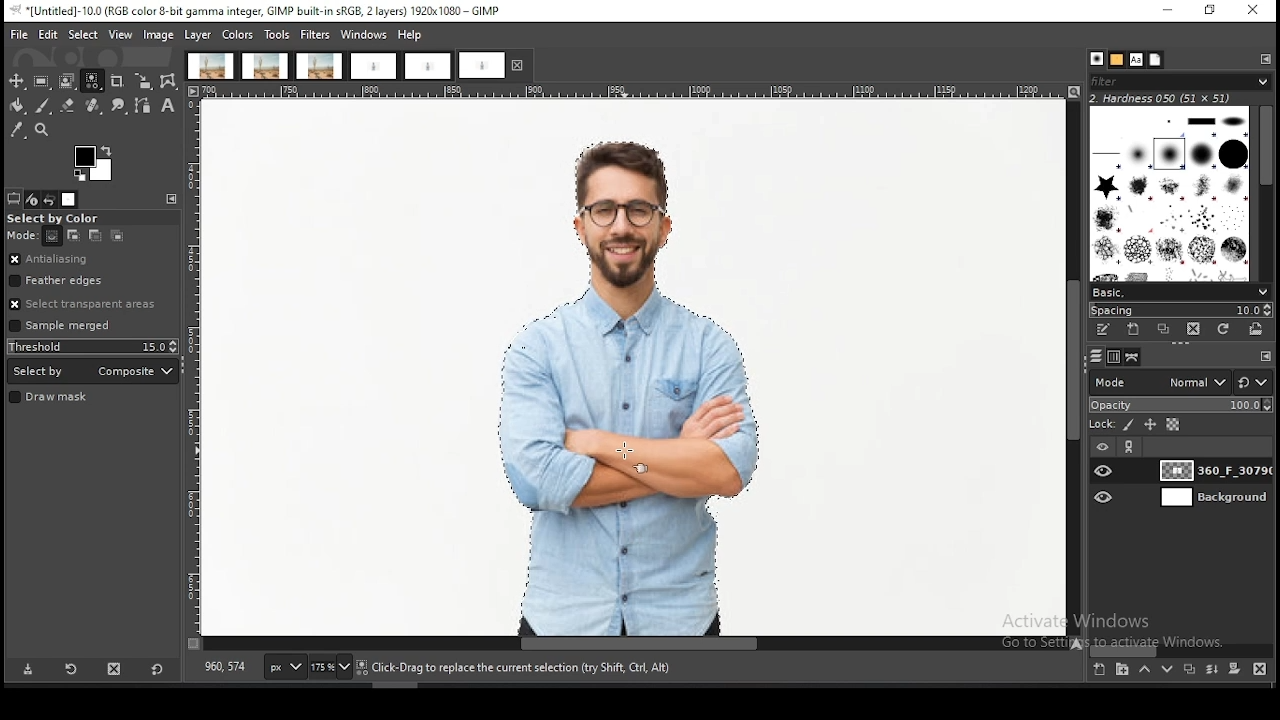 The image size is (1280, 720). I want to click on image, so click(158, 36).